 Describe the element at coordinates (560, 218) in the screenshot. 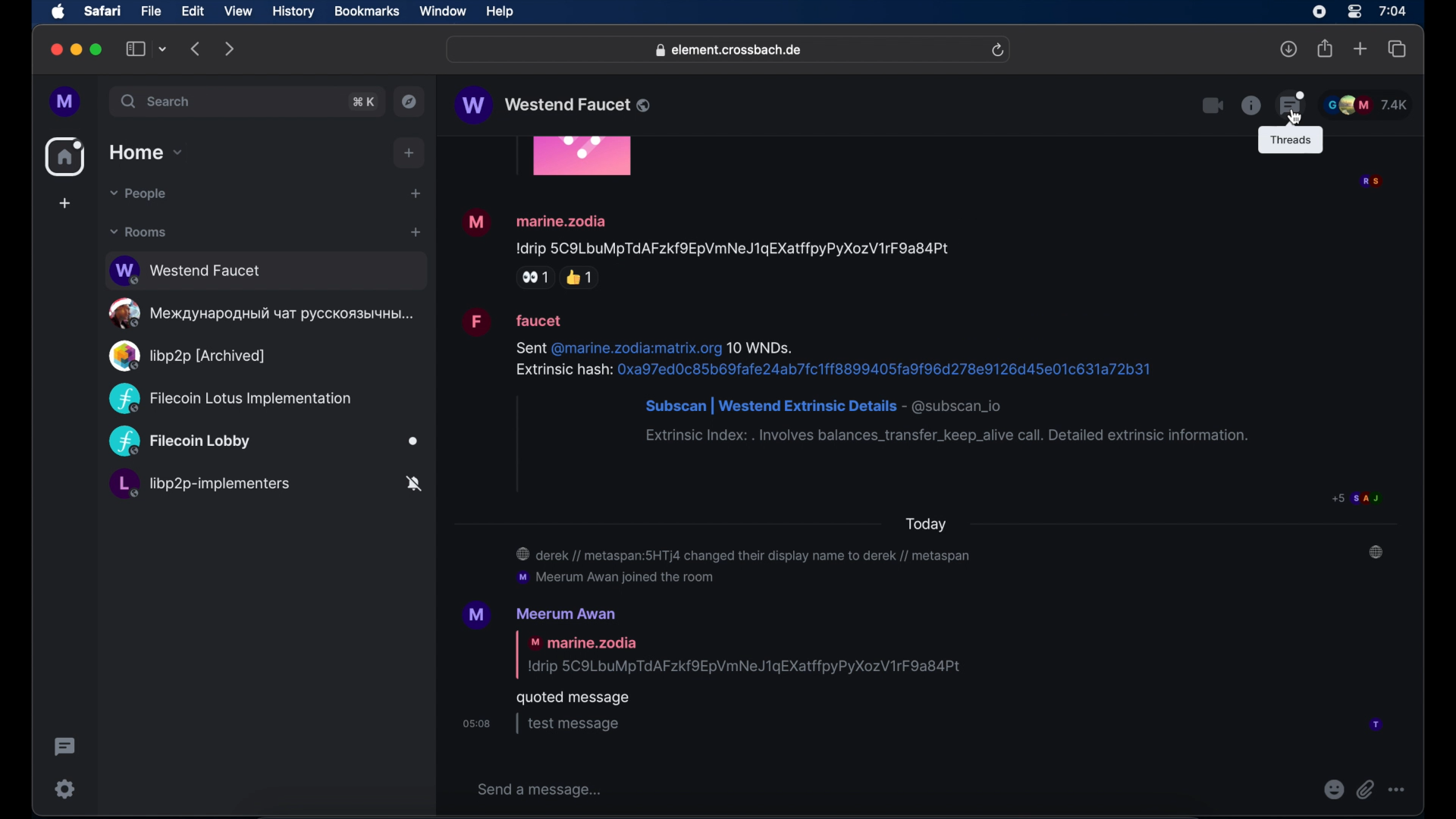

I see `marine.zodia` at that location.